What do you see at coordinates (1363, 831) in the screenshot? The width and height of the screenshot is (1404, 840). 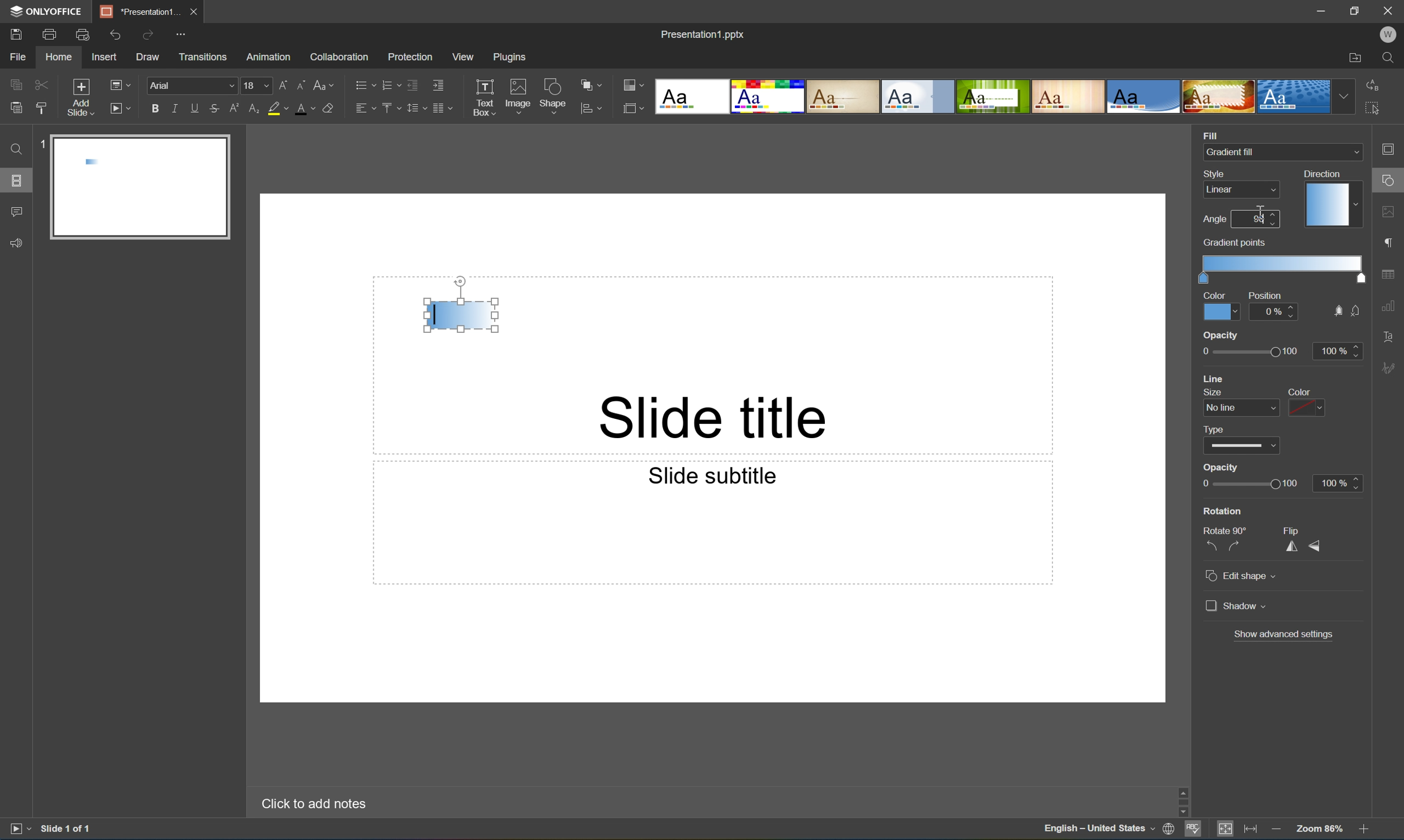 I see `Zoom In` at bounding box center [1363, 831].